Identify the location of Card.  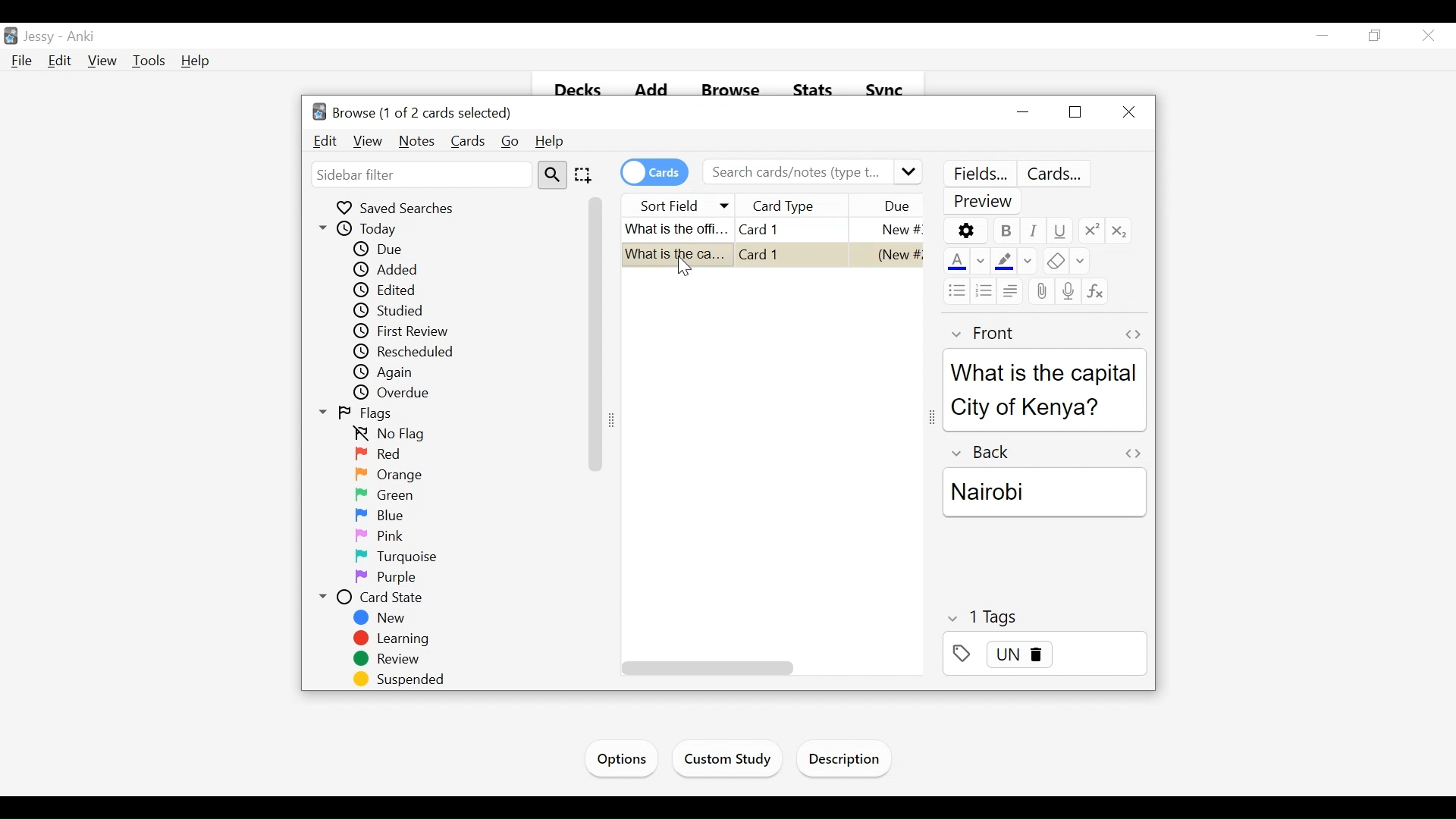
(773, 258).